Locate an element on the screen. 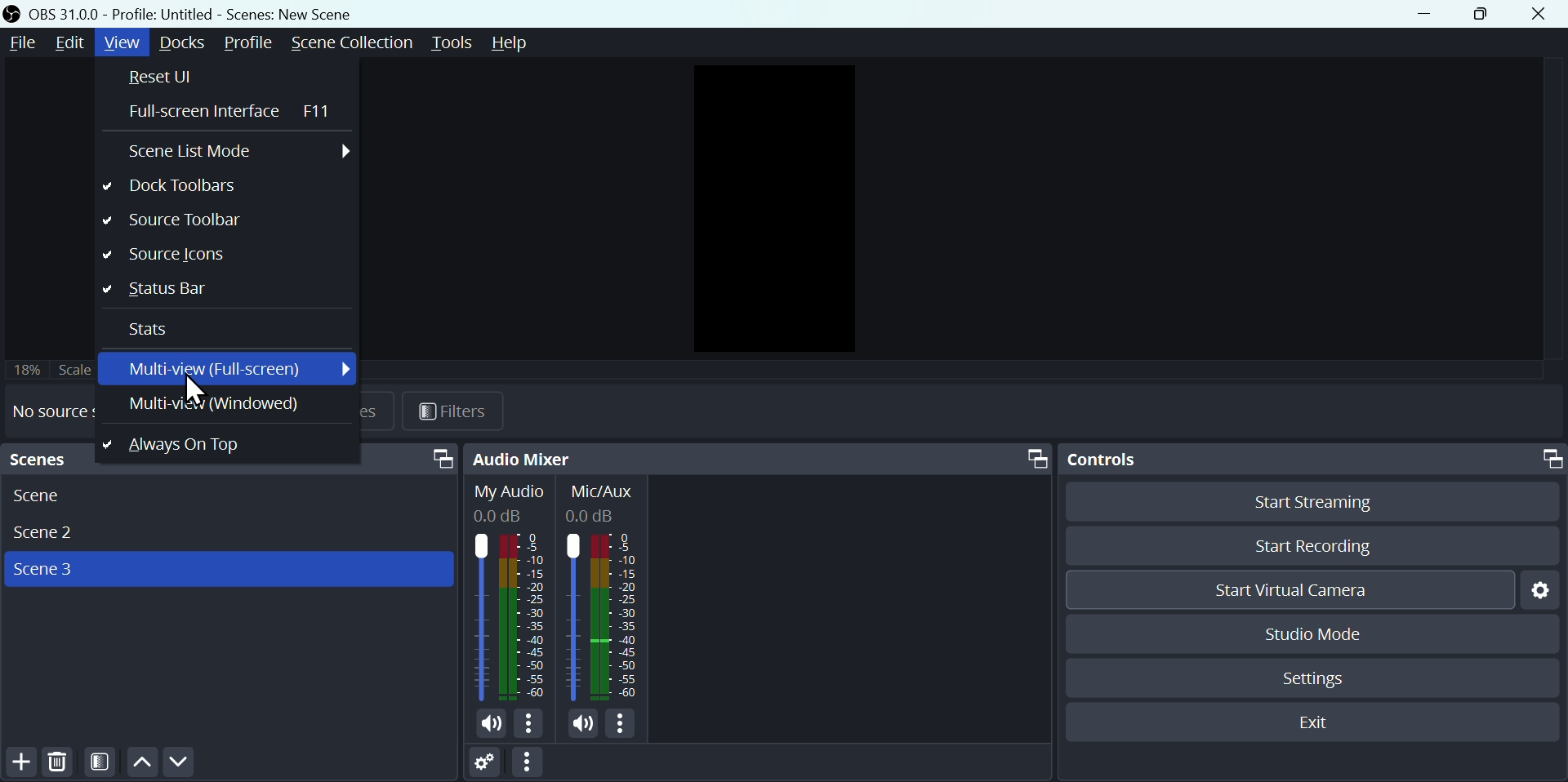 Image resolution: width=1568 pixels, height=782 pixels. Docks is located at coordinates (186, 43).